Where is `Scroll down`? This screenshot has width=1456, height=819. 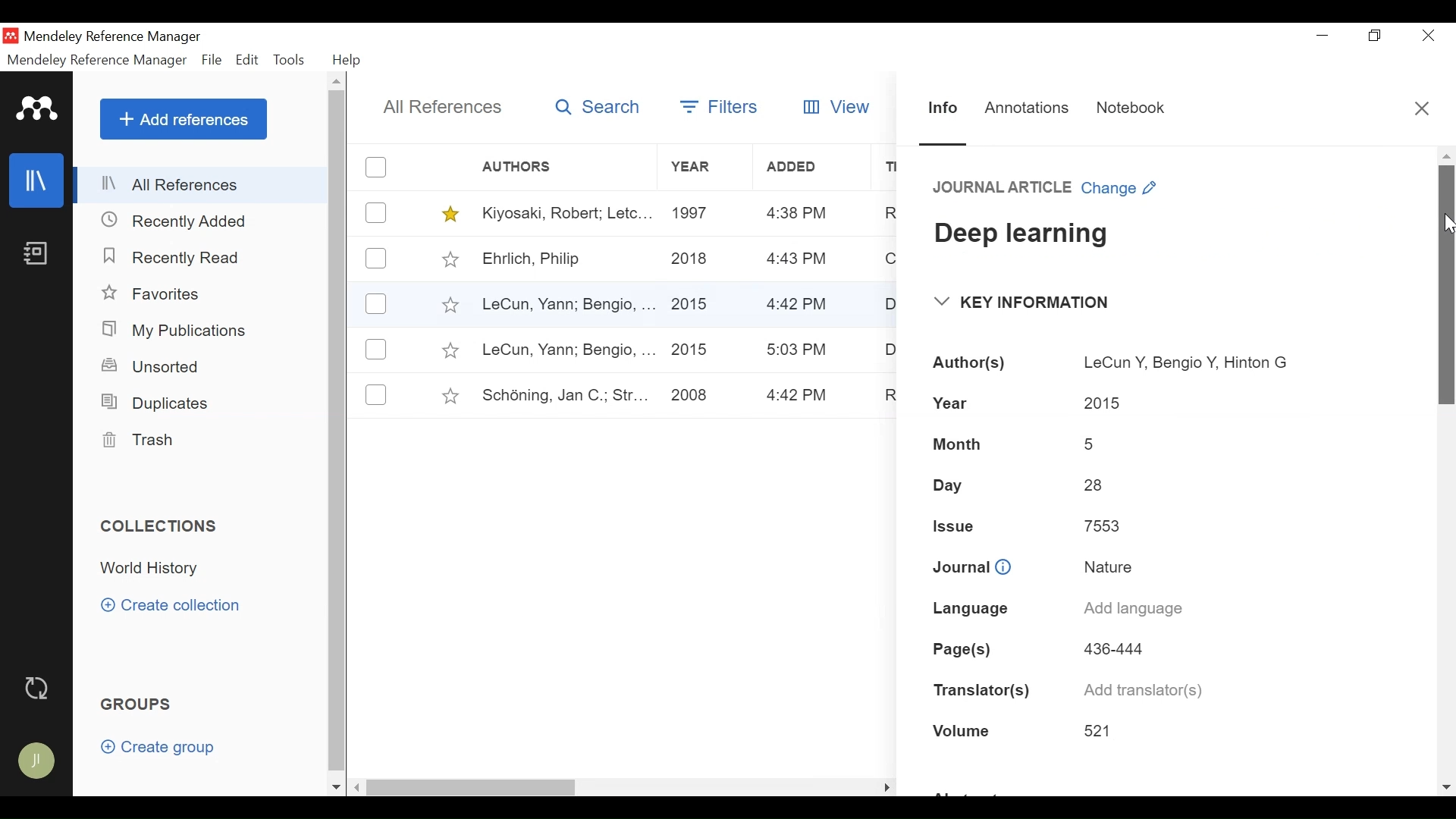 Scroll down is located at coordinates (1445, 783).